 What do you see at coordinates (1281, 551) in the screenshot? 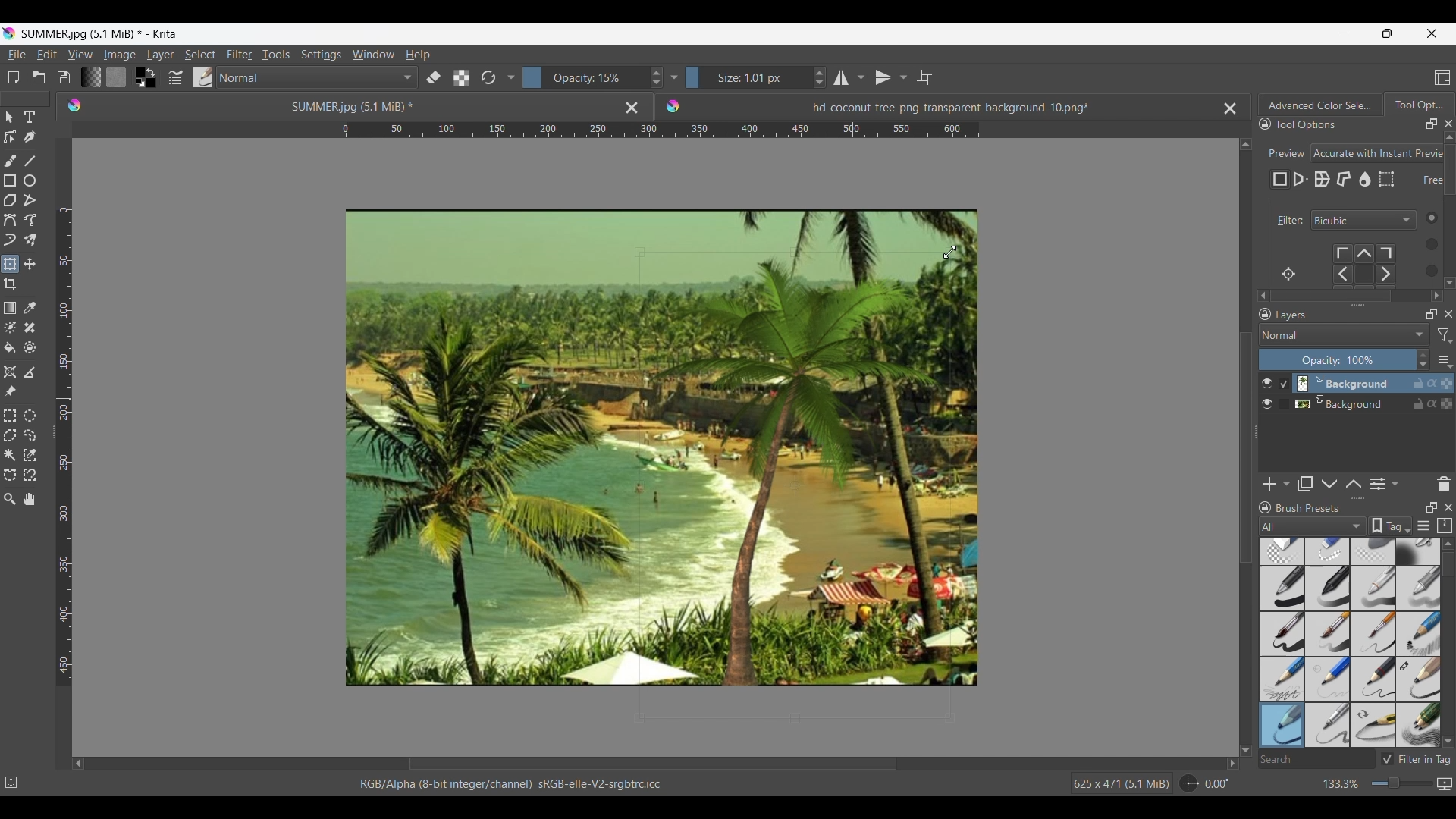
I see `Eraser circle` at bounding box center [1281, 551].